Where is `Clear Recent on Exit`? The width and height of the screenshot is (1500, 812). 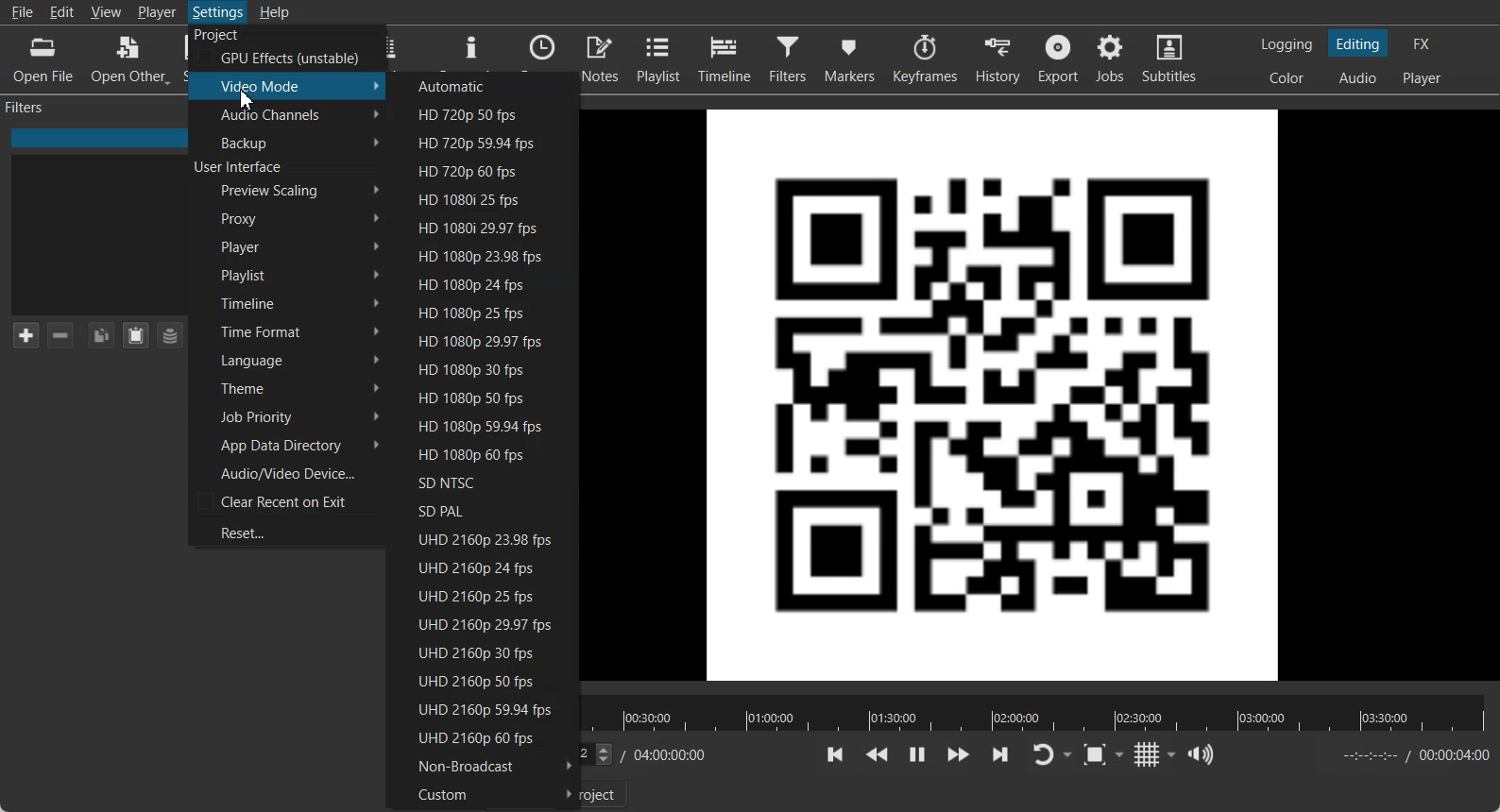 Clear Recent on Exit is located at coordinates (286, 501).